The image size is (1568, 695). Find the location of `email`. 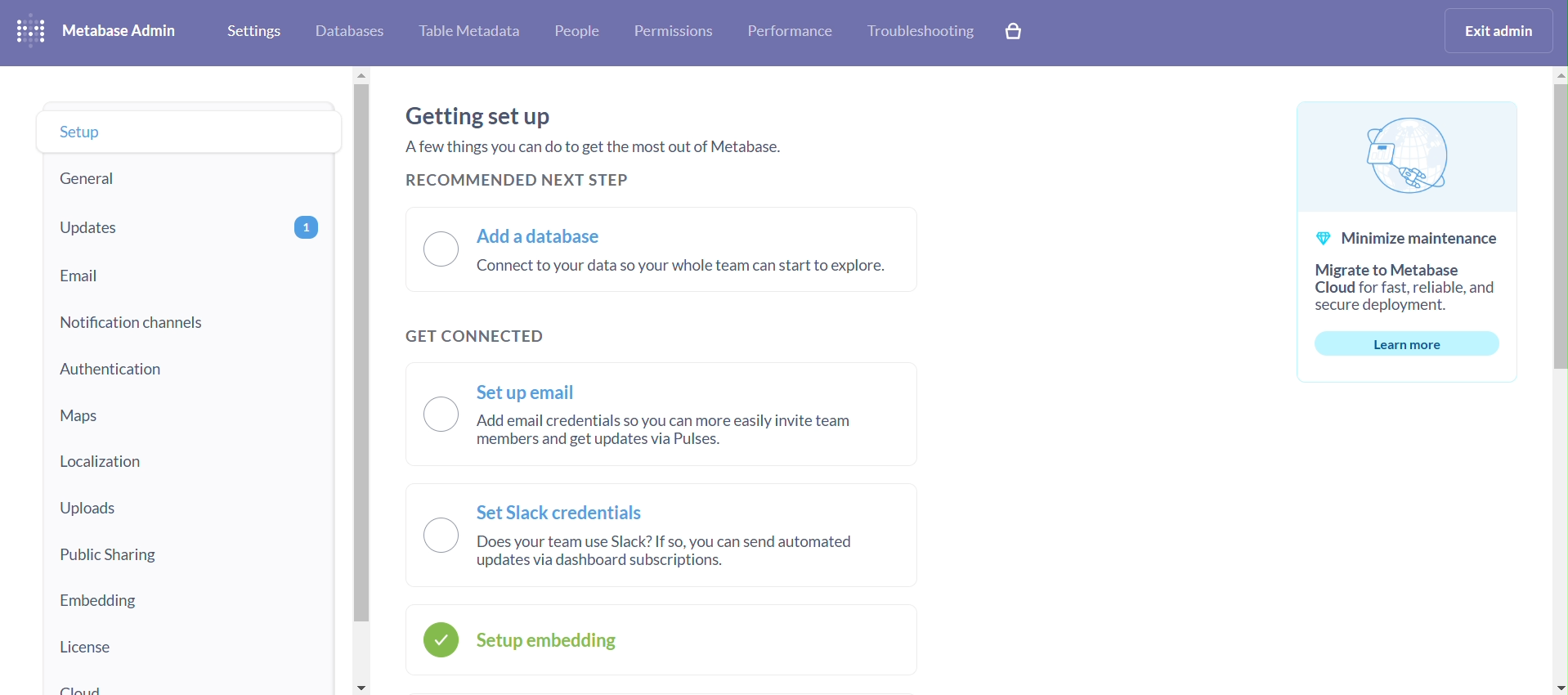

email is located at coordinates (185, 275).